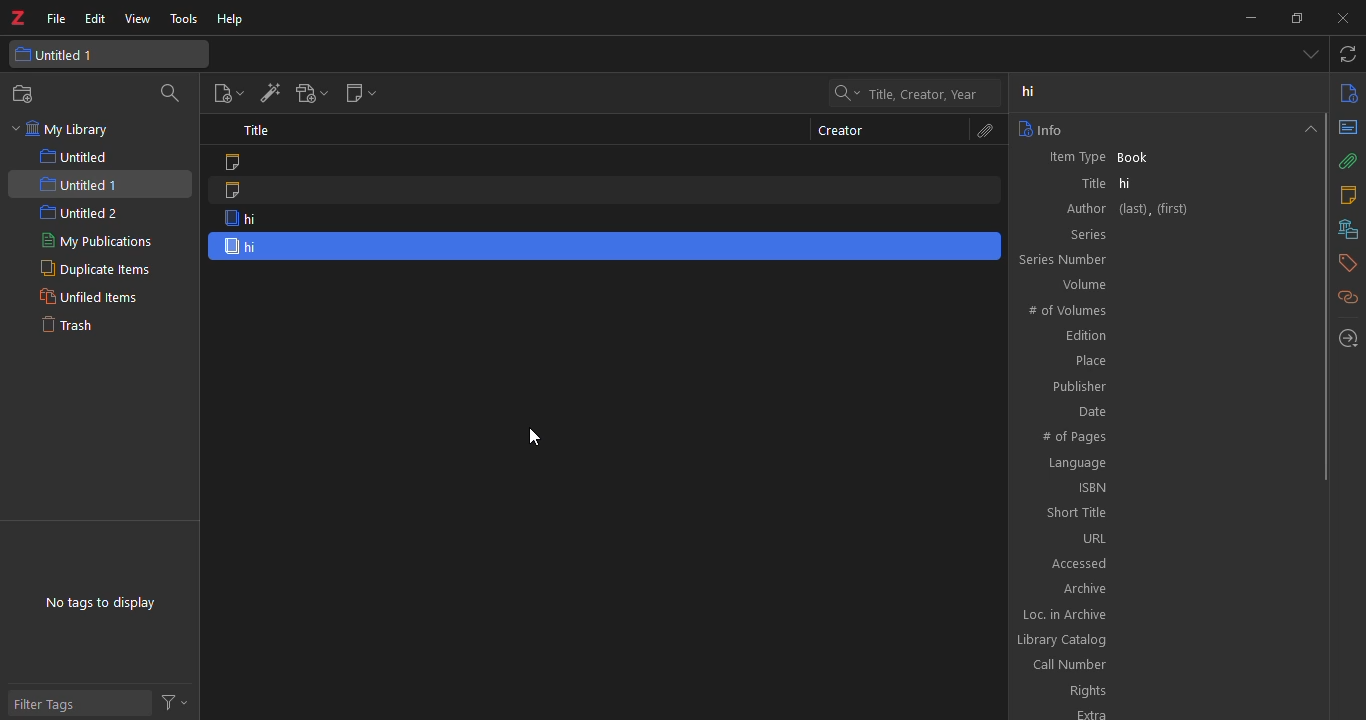 This screenshot has height=720, width=1366. I want to click on ISBN , so click(1085, 489).